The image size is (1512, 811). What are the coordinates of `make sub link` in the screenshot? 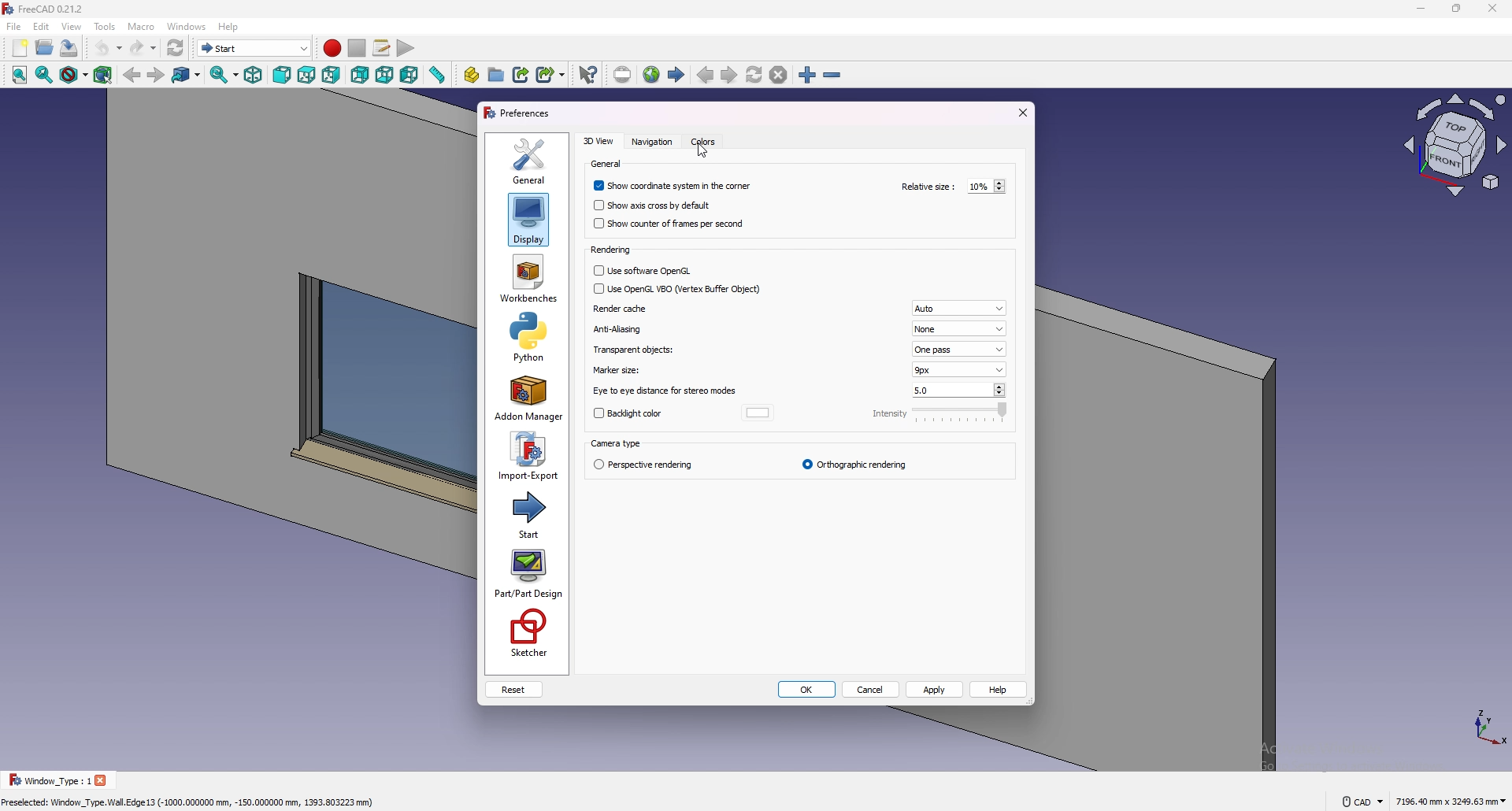 It's located at (551, 73).